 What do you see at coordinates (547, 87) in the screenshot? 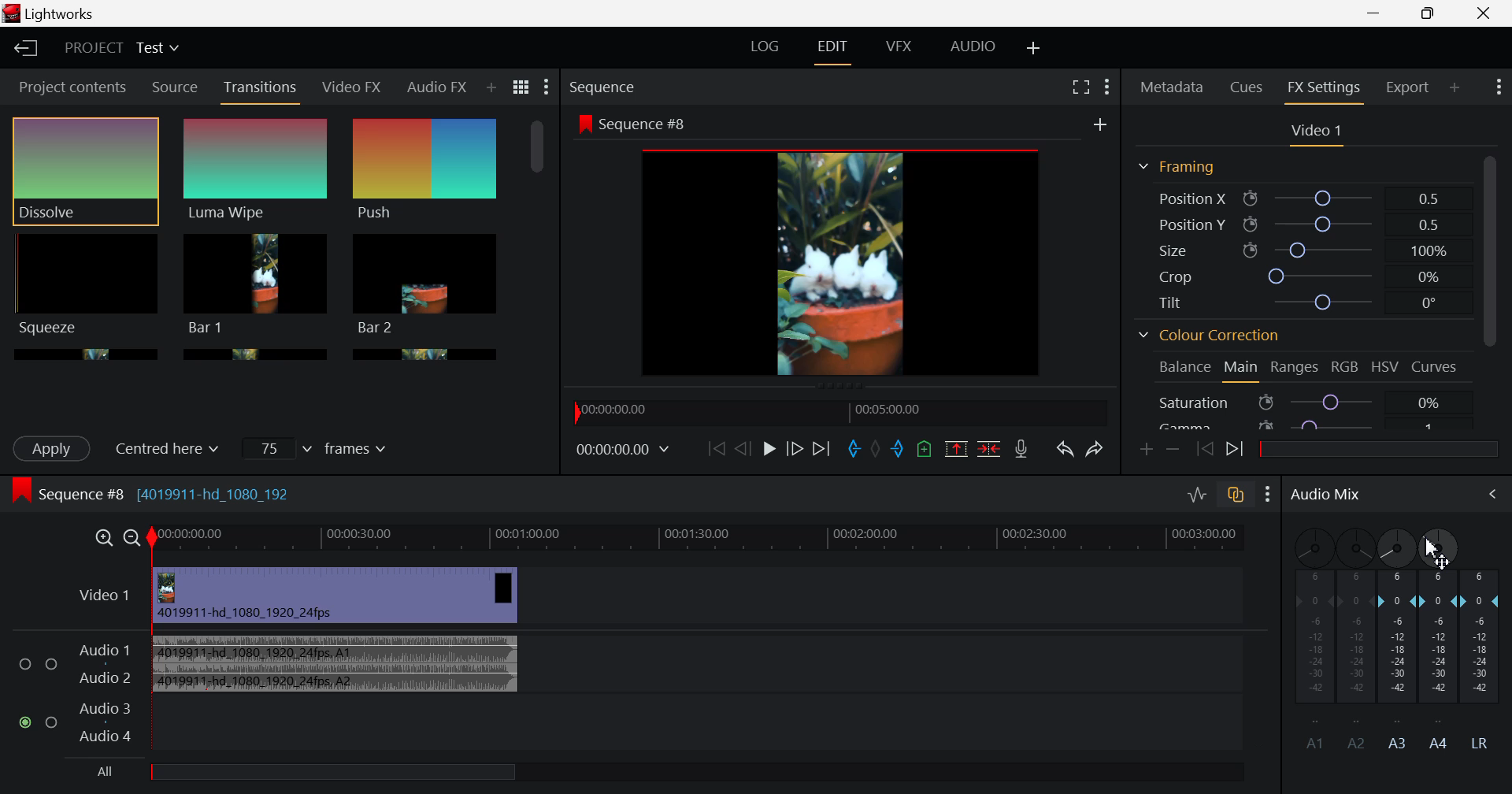
I see `Show Settings` at bounding box center [547, 87].